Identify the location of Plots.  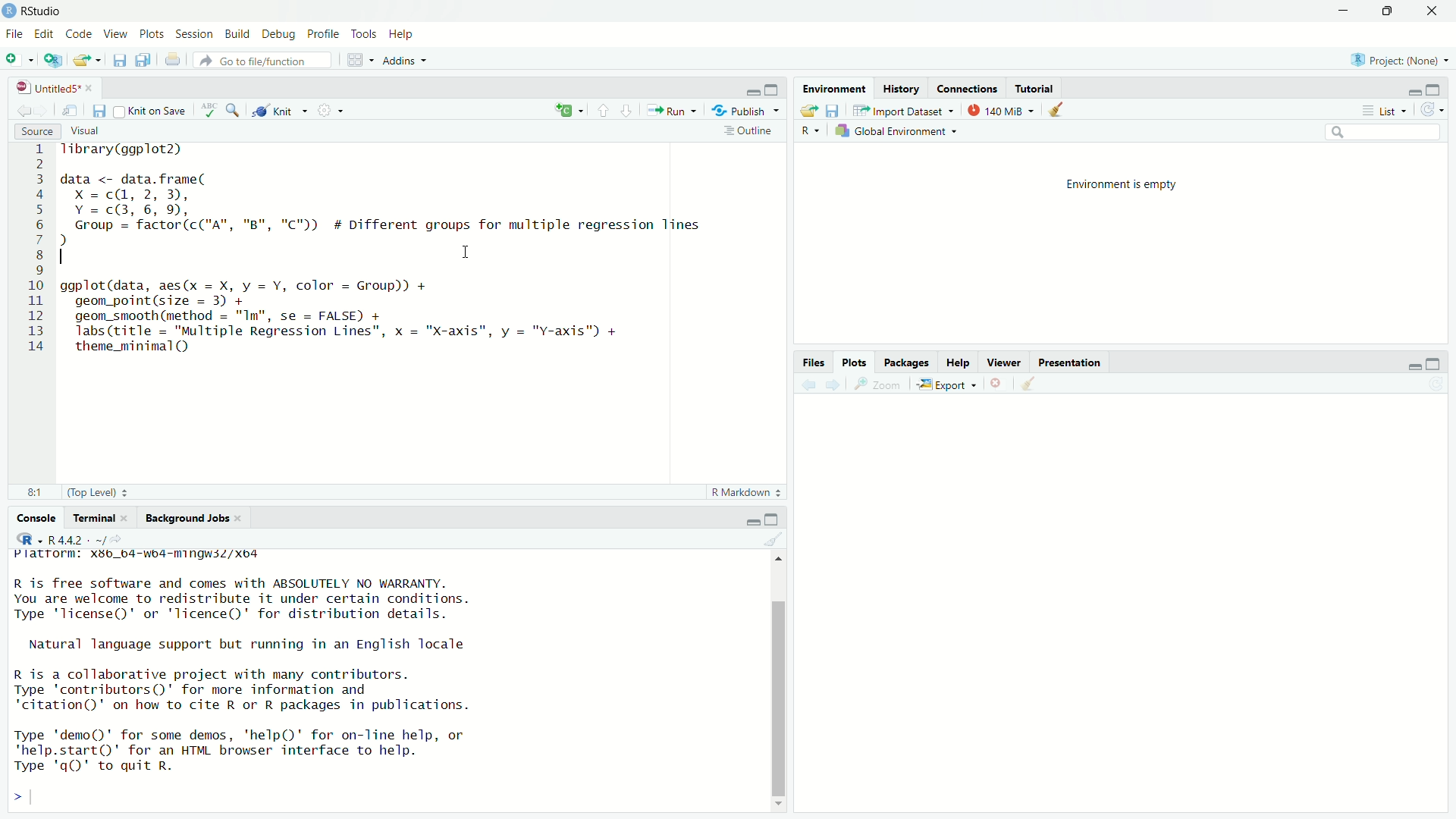
(152, 35).